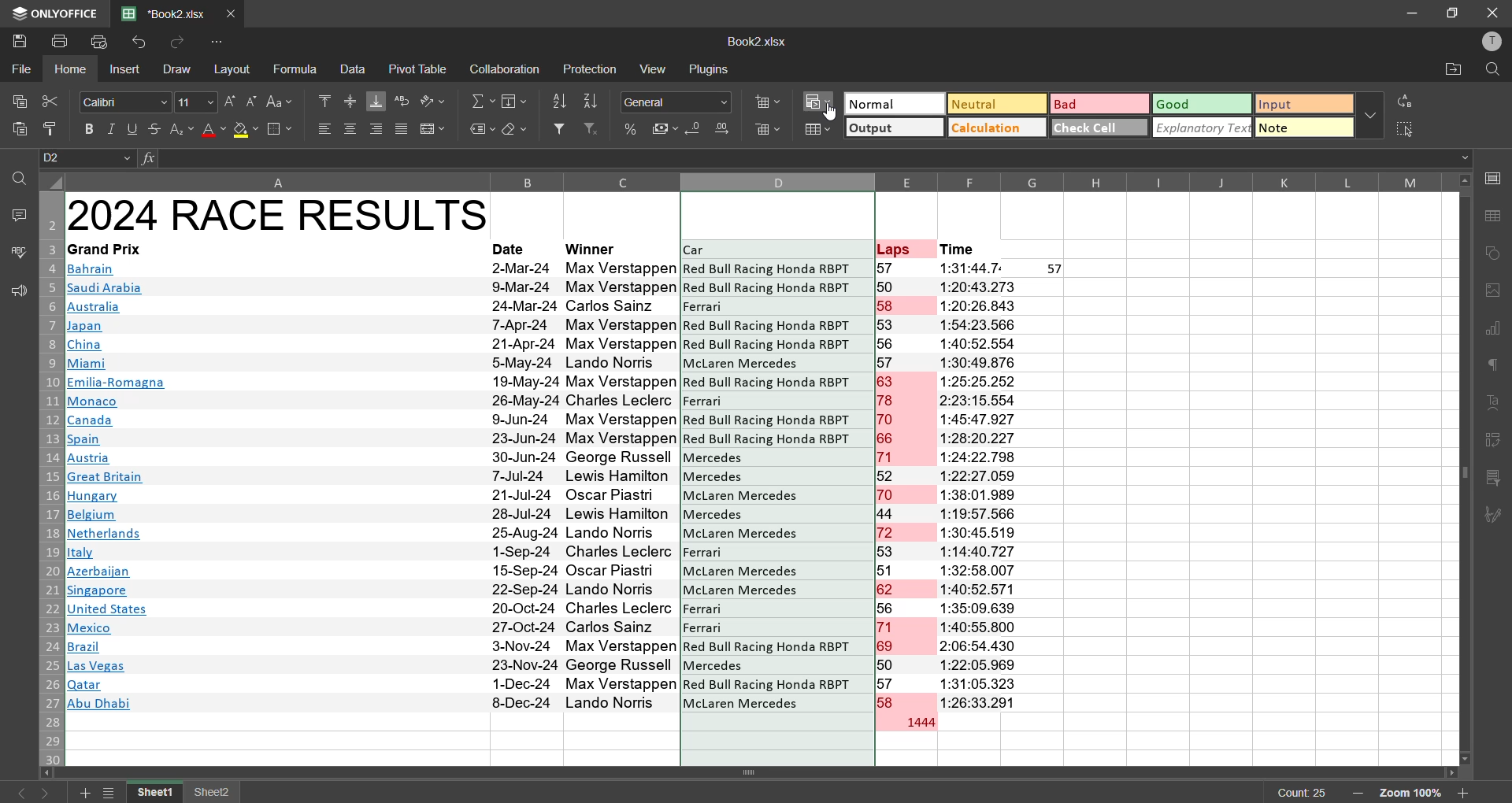 The height and width of the screenshot is (803, 1512). What do you see at coordinates (892, 130) in the screenshot?
I see `output` at bounding box center [892, 130].